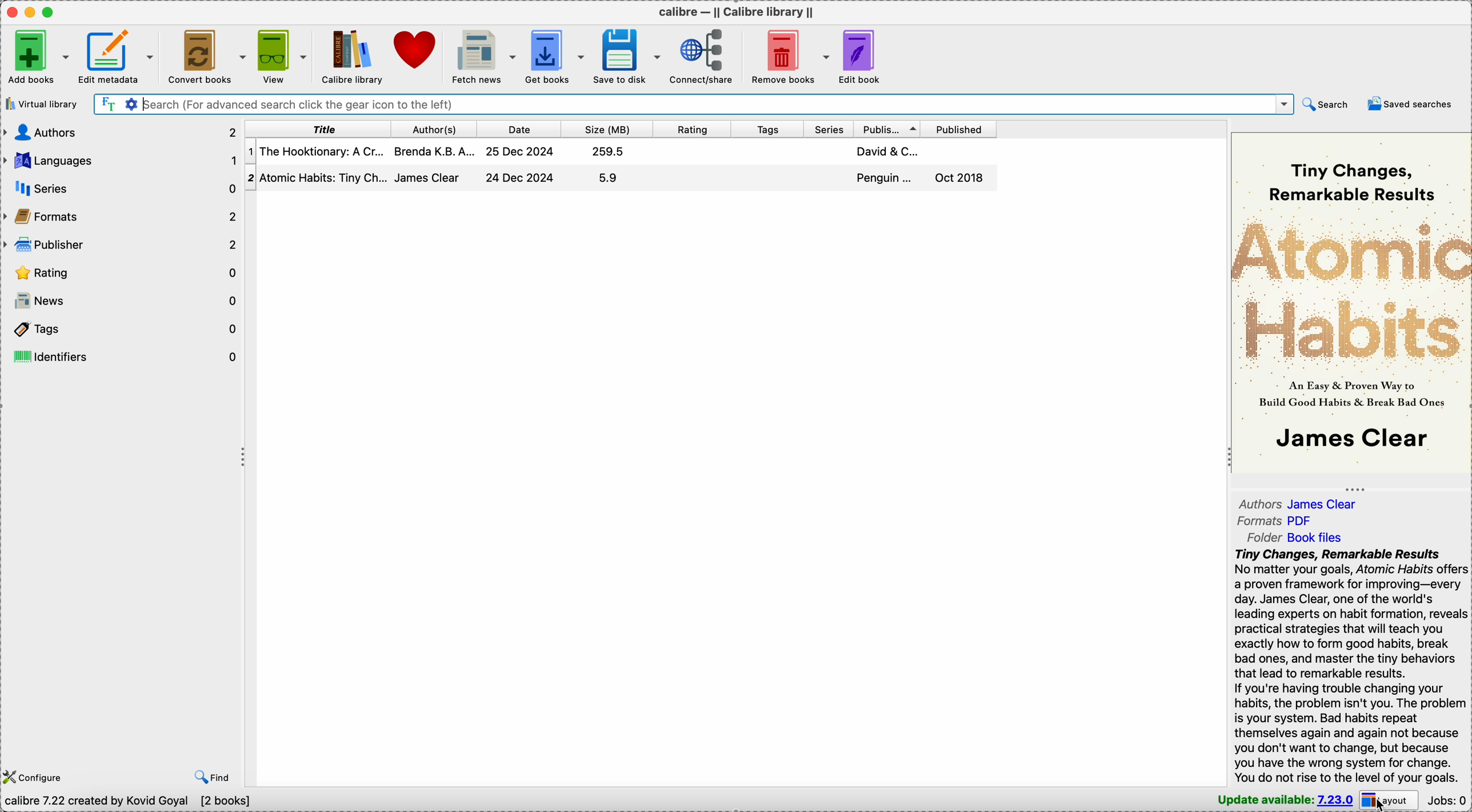 The height and width of the screenshot is (812, 1472). What do you see at coordinates (1449, 800) in the screenshot?
I see `jobs: 0` at bounding box center [1449, 800].